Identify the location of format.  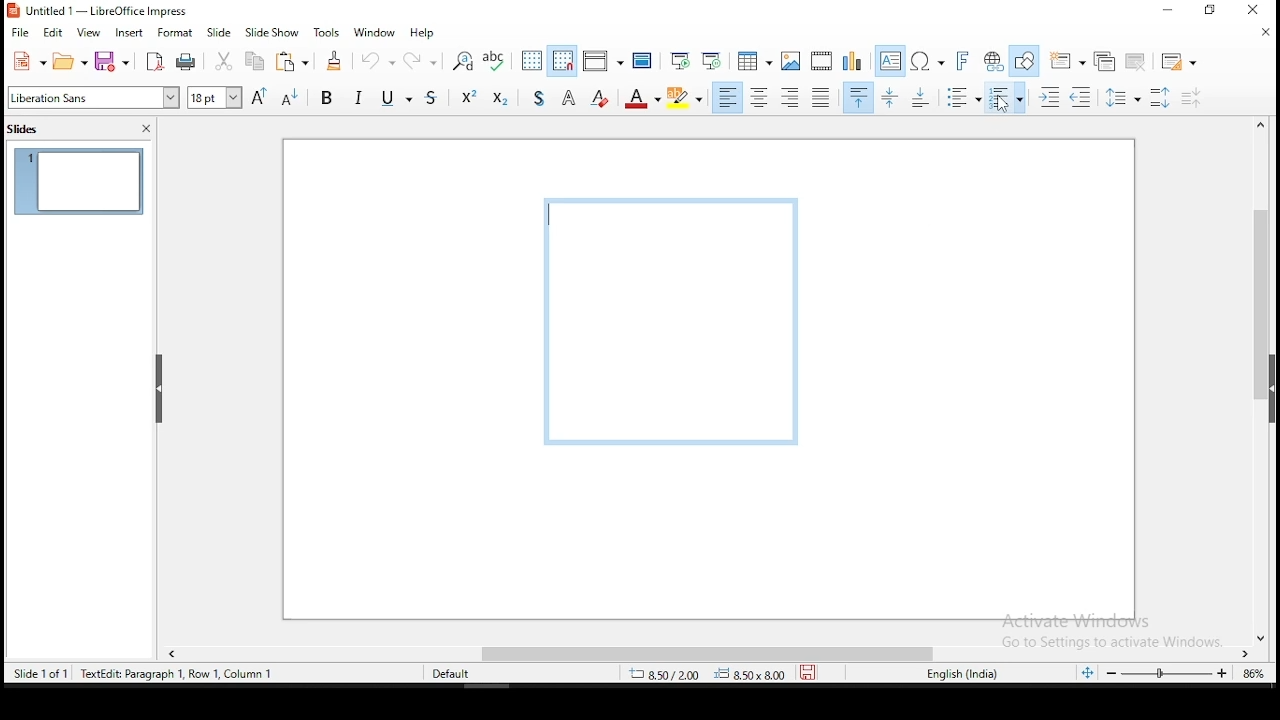
(175, 35).